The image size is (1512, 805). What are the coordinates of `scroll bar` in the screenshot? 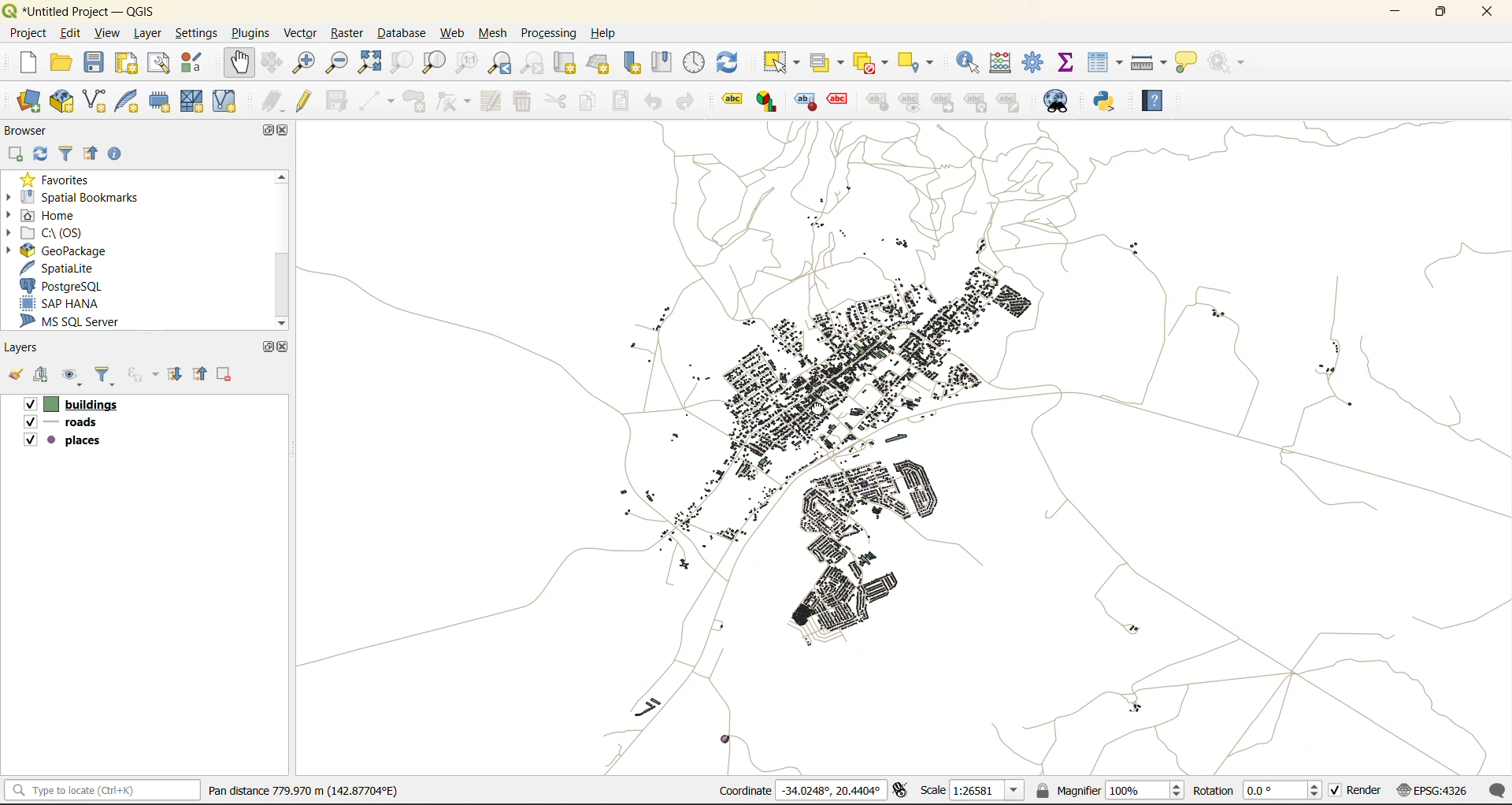 It's located at (283, 250).